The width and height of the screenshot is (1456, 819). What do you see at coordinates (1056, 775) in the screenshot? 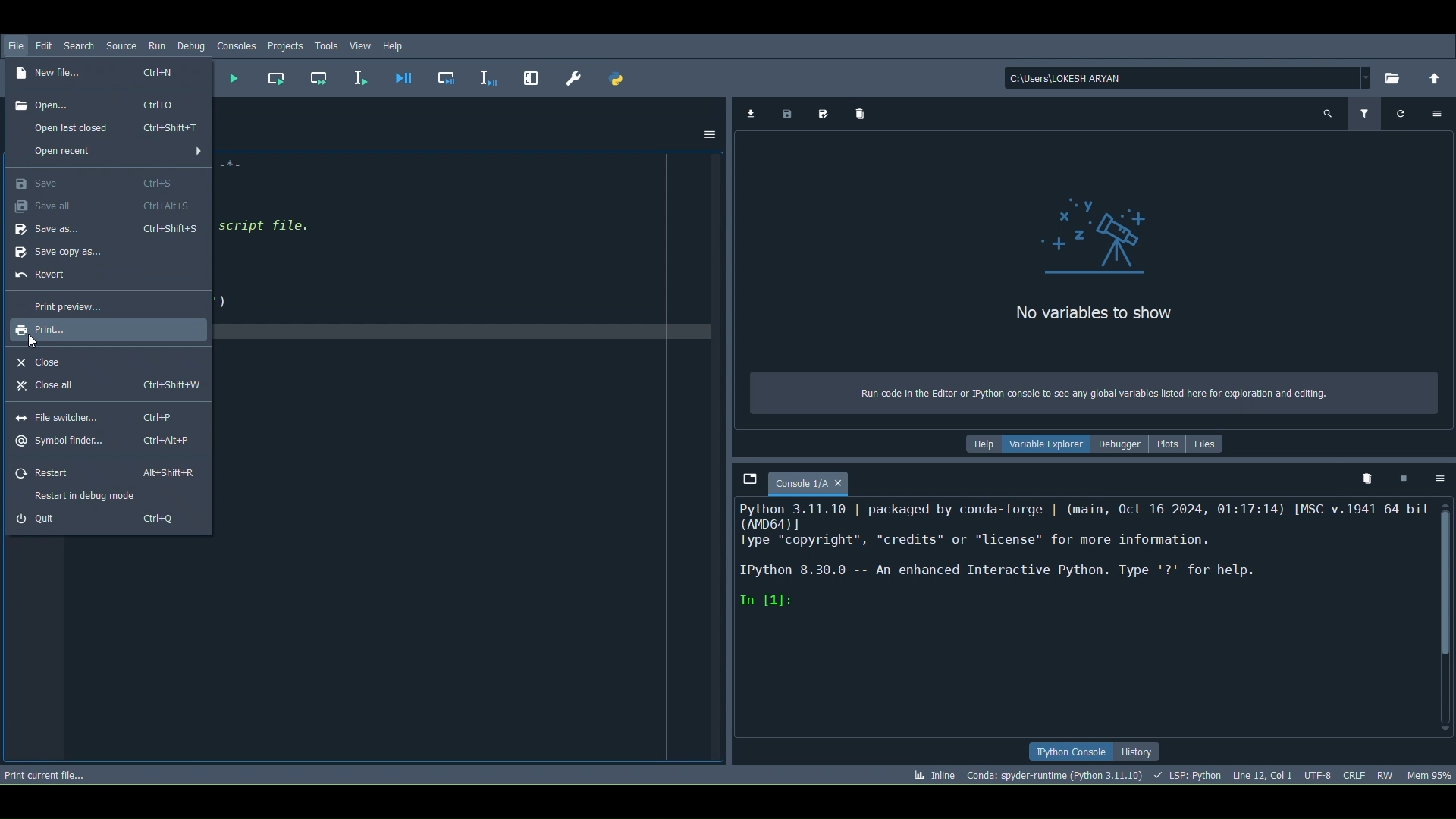
I see `Version` at bounding box center [1056, 775].